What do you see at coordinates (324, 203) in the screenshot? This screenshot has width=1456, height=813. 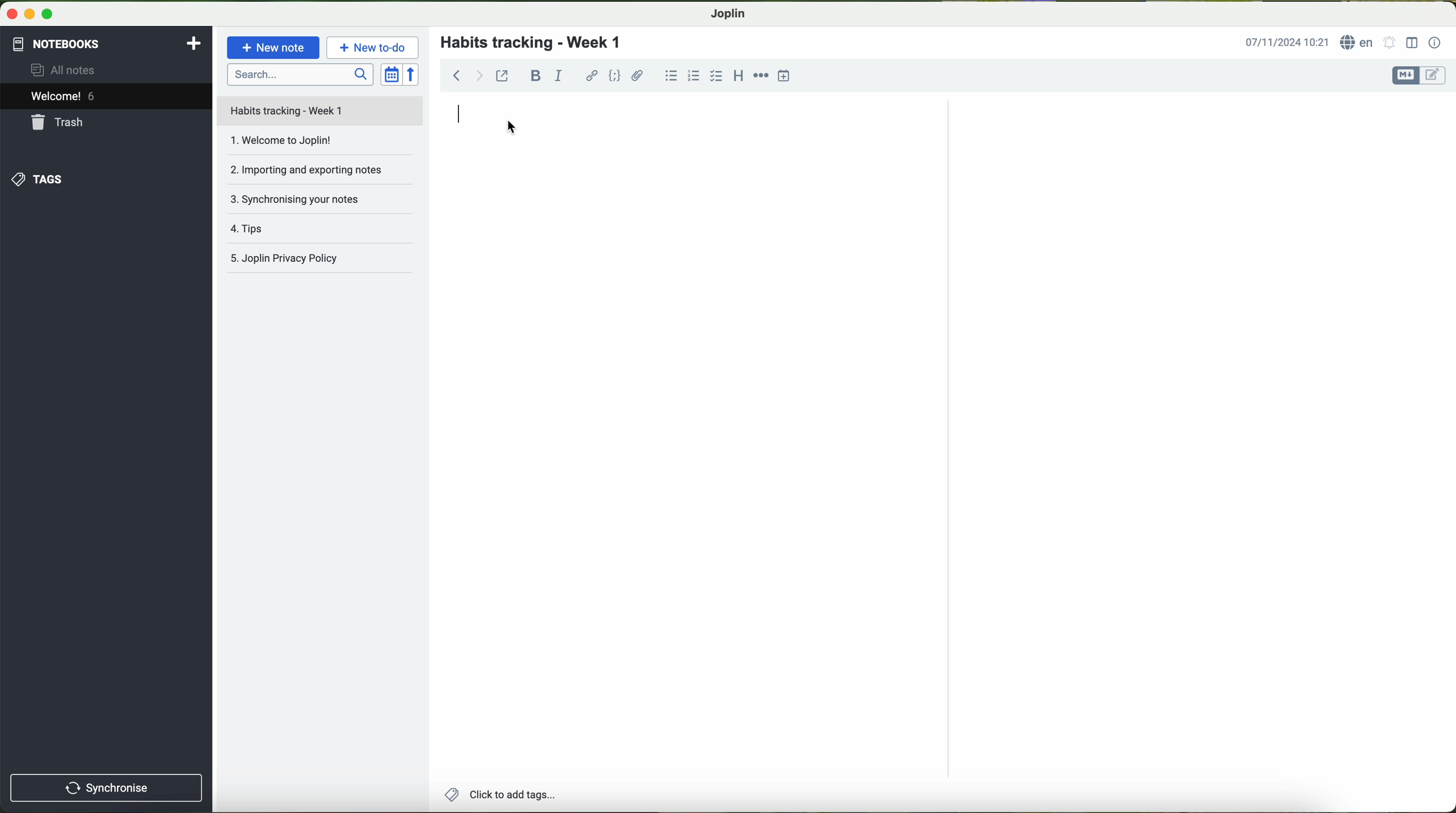 I see `synchronising your notes` at bounding box center [324, 203].